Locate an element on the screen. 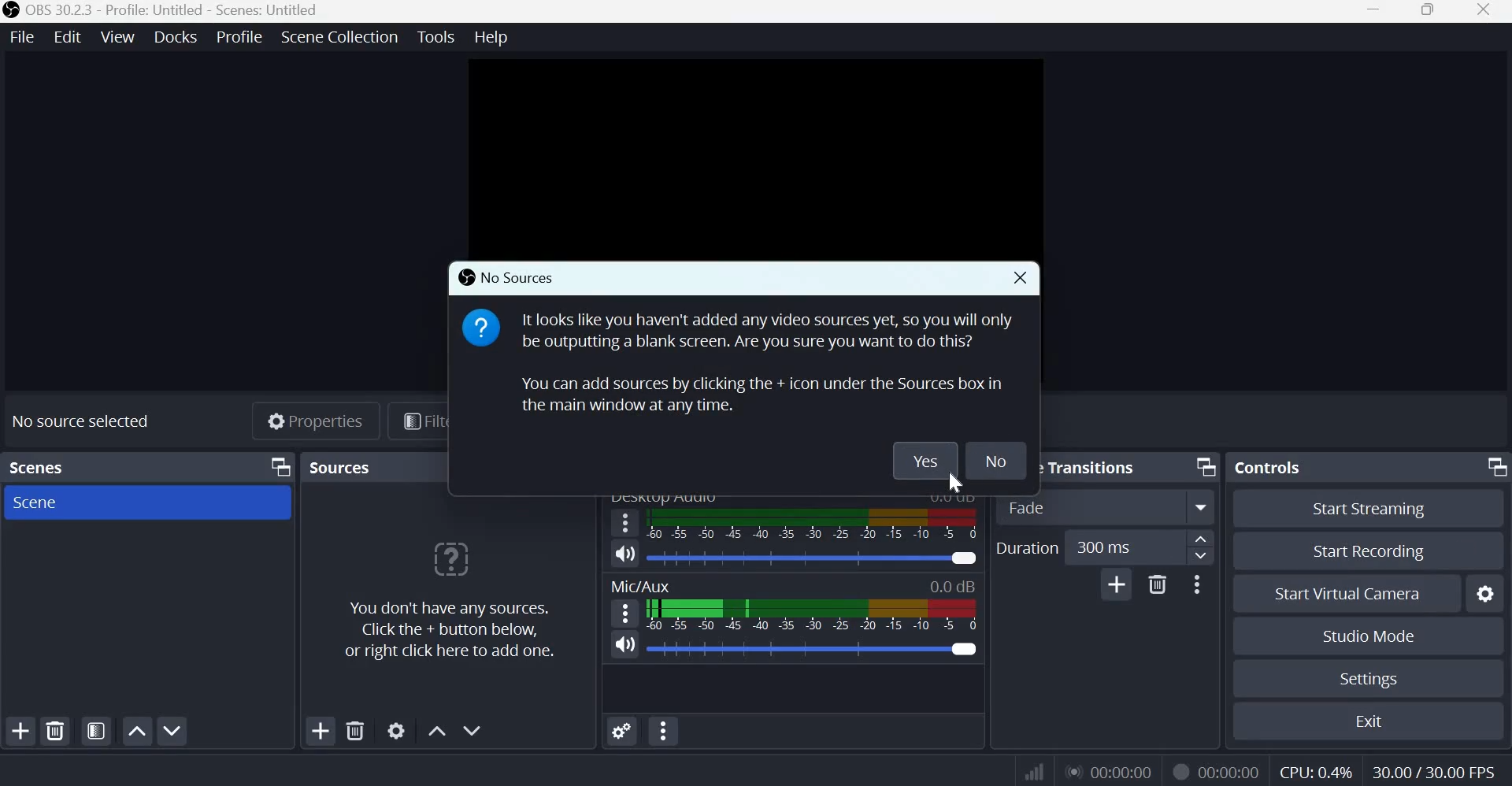  Move scene up is located at coordinates (137, 731).